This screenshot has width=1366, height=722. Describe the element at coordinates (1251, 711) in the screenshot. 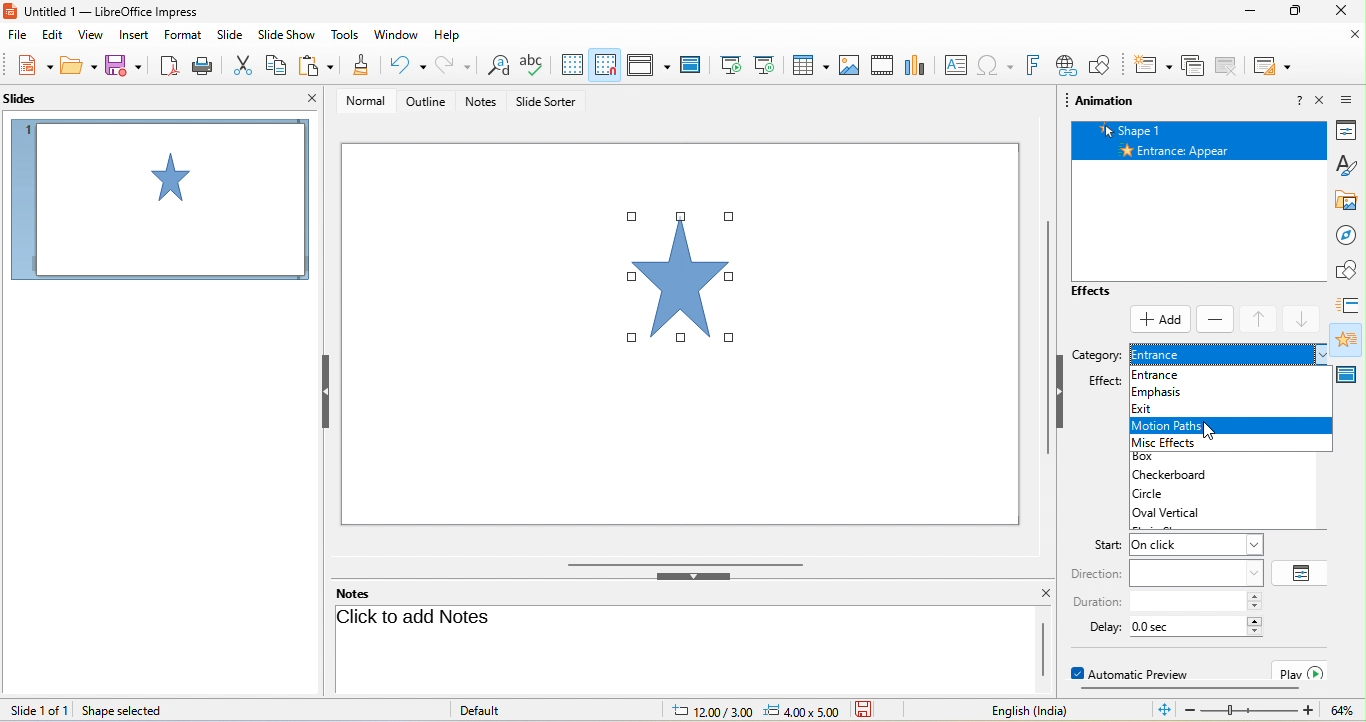

I see `zoom` at that location.